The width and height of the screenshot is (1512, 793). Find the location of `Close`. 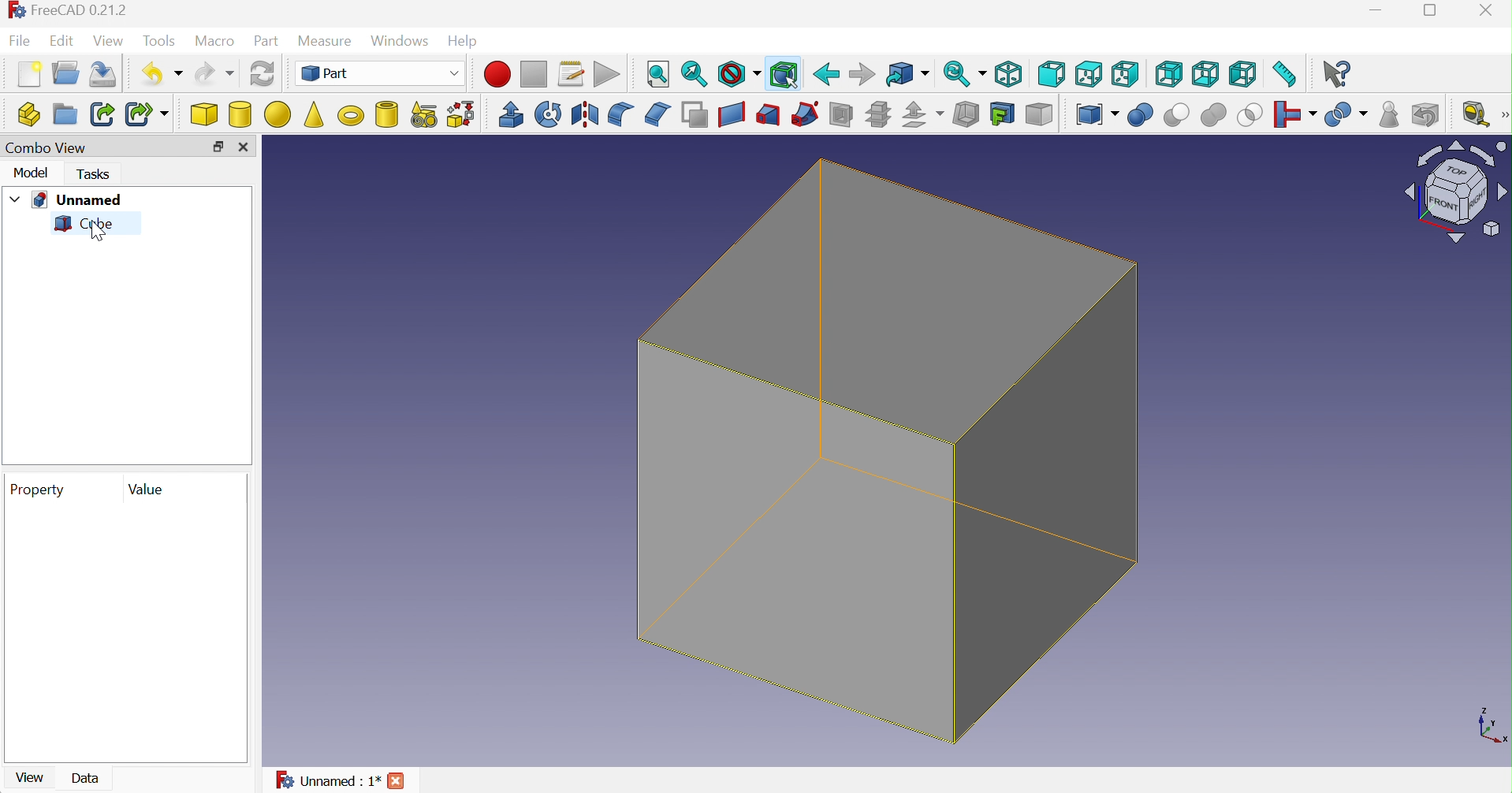

Close is located at coordinates (1488, 13).